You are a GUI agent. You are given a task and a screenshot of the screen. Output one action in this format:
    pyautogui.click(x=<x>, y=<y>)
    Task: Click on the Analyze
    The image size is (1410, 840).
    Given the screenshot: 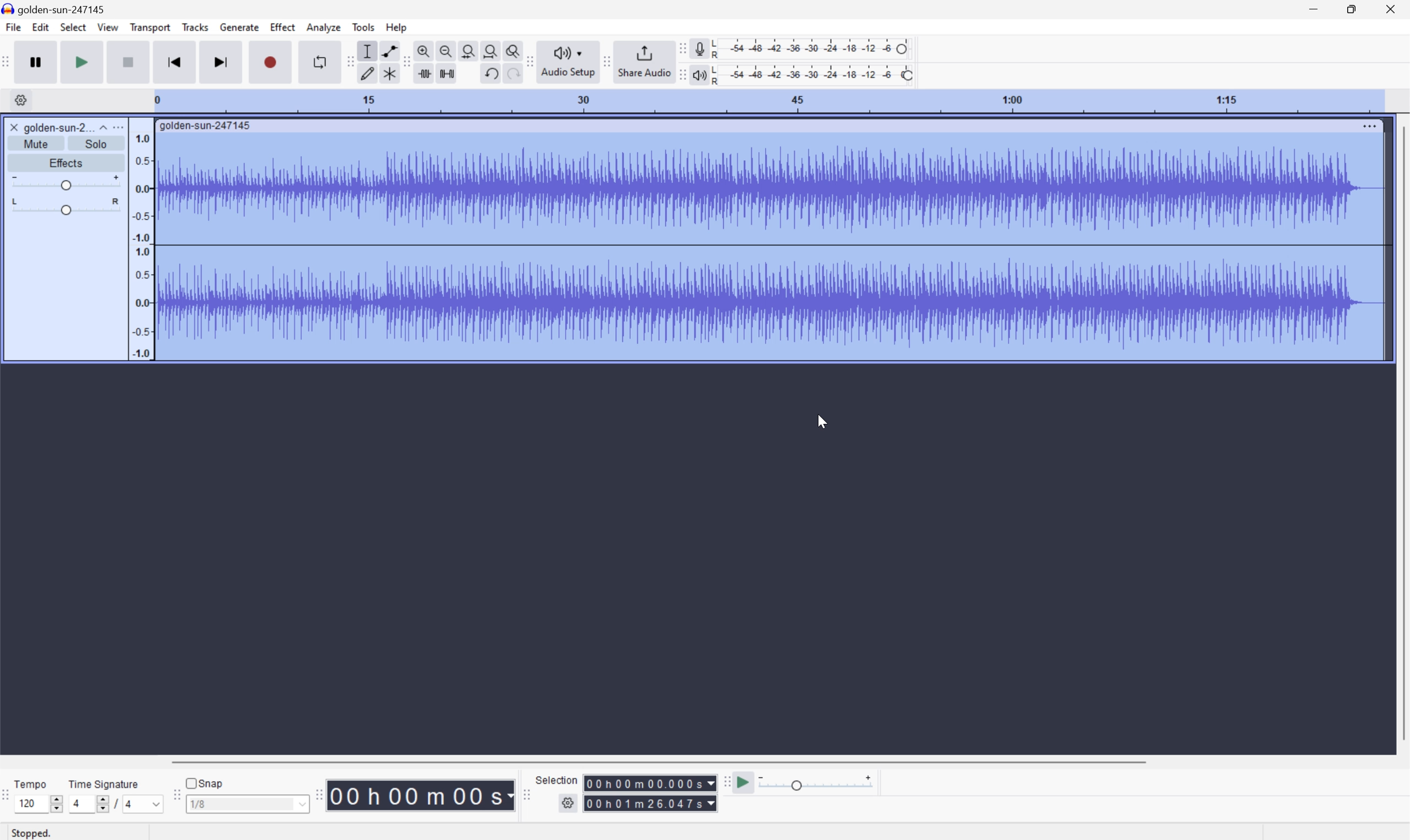 What is the action you would take?
    pyautogui.click(x=323, y=27)
    